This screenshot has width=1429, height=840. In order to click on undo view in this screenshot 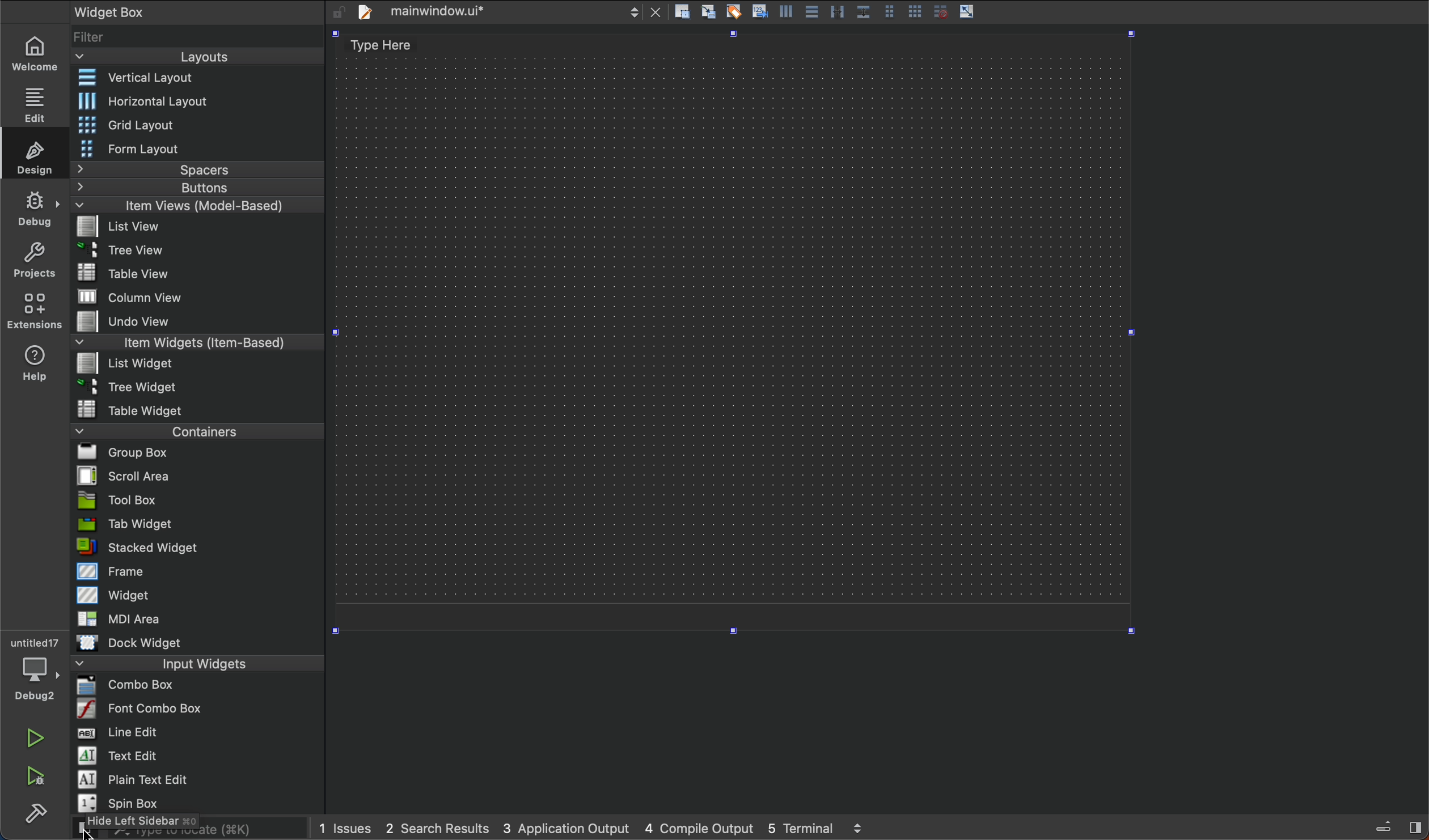, I will do `click(133, 319)`.